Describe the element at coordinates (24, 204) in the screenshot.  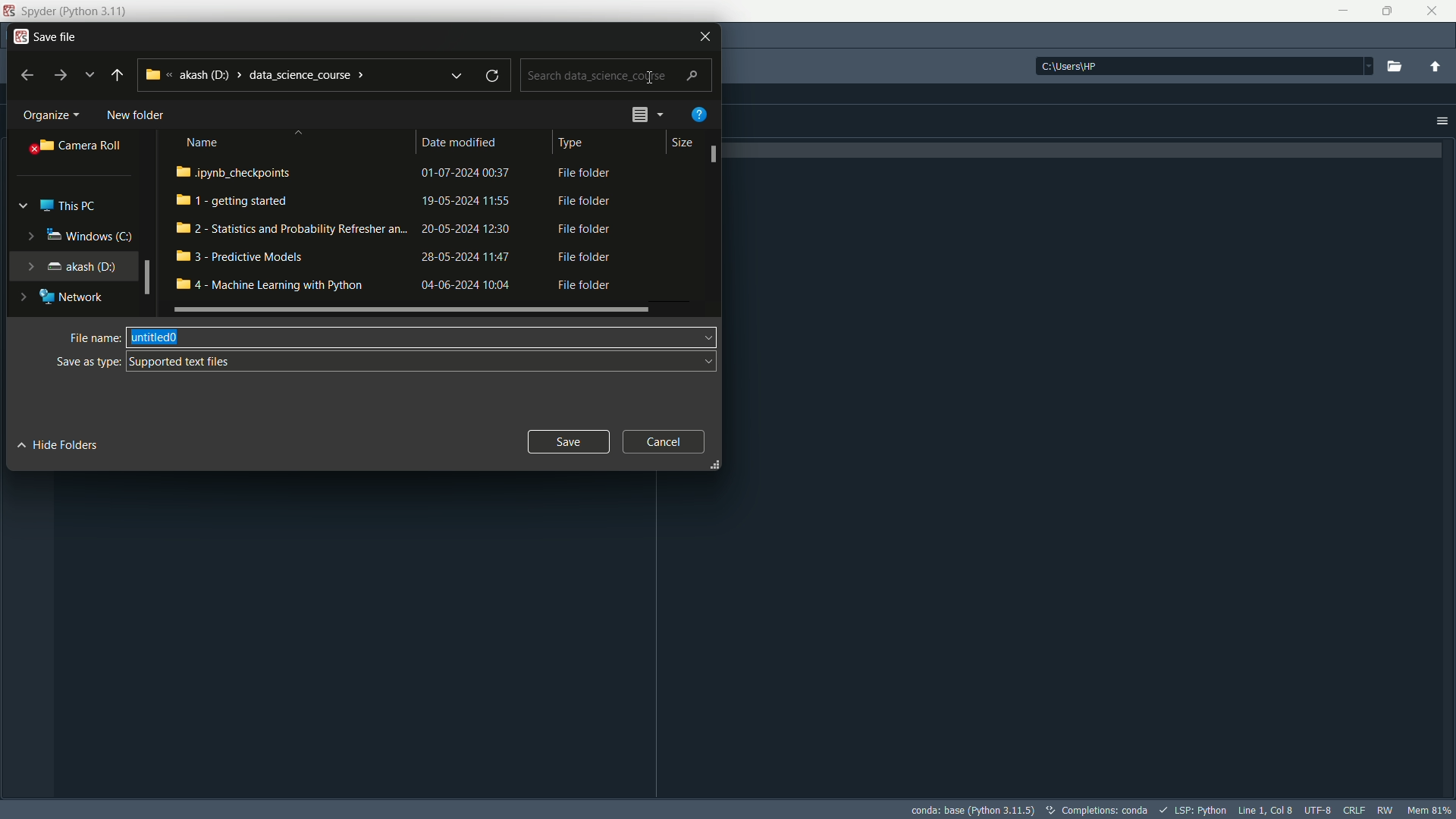
I see `Dropdown` at that location.